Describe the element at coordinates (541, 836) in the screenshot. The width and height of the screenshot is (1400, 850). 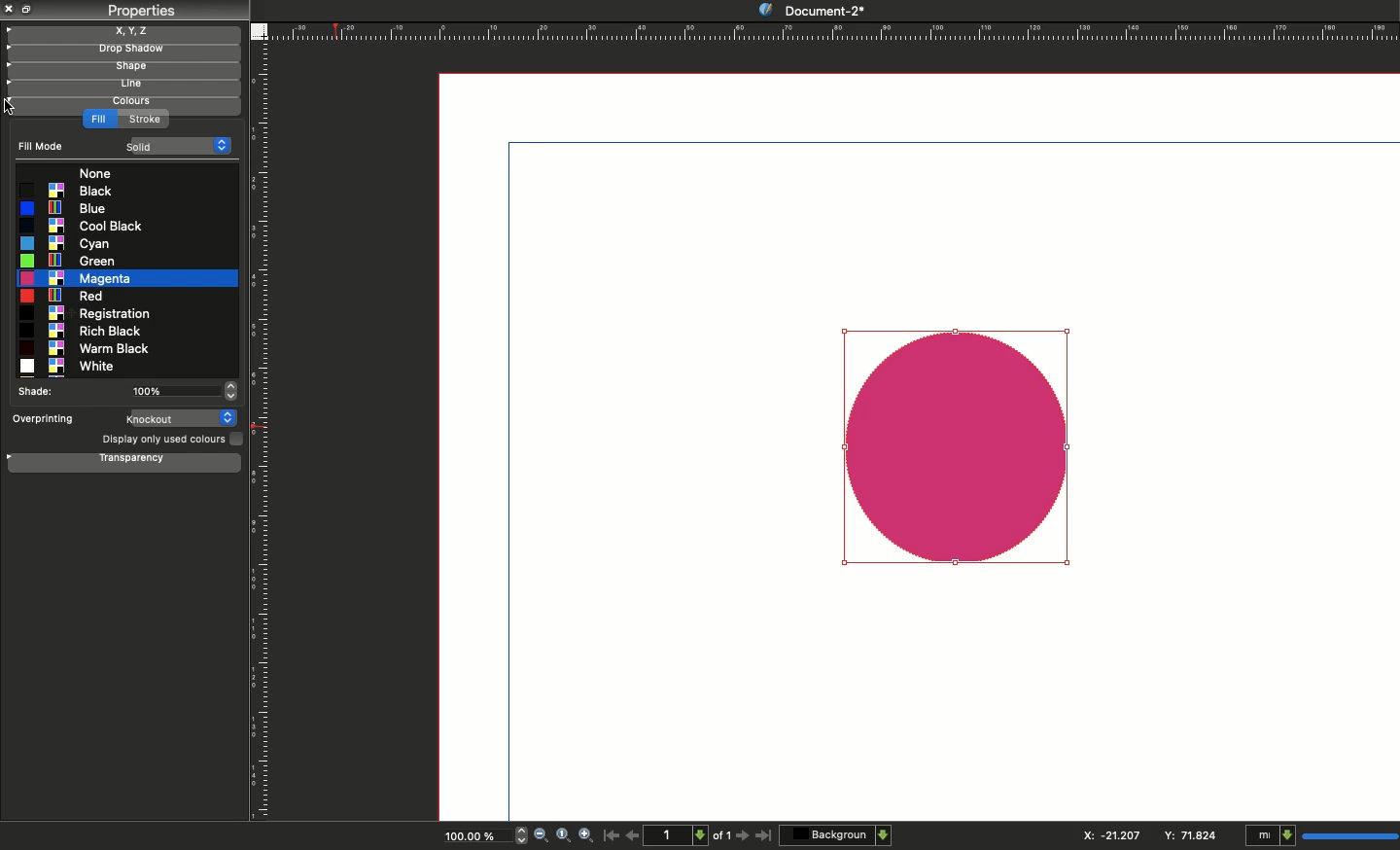
I see `Zoom out` at that location.